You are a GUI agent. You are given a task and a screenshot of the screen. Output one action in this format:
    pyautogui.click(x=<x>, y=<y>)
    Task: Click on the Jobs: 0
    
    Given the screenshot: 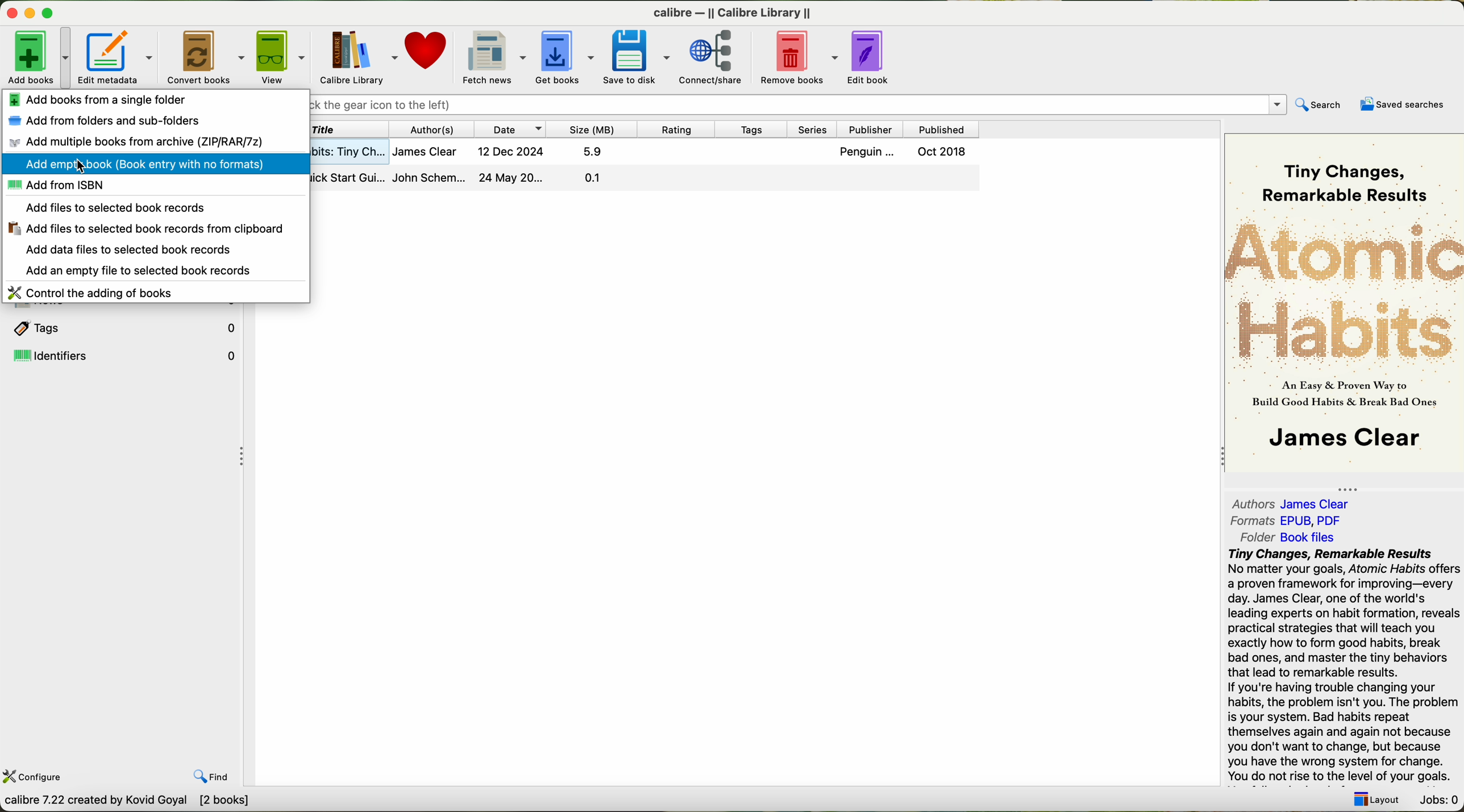 What is the action you would take?
    pyautogui.click(x=1437, y=801)
    